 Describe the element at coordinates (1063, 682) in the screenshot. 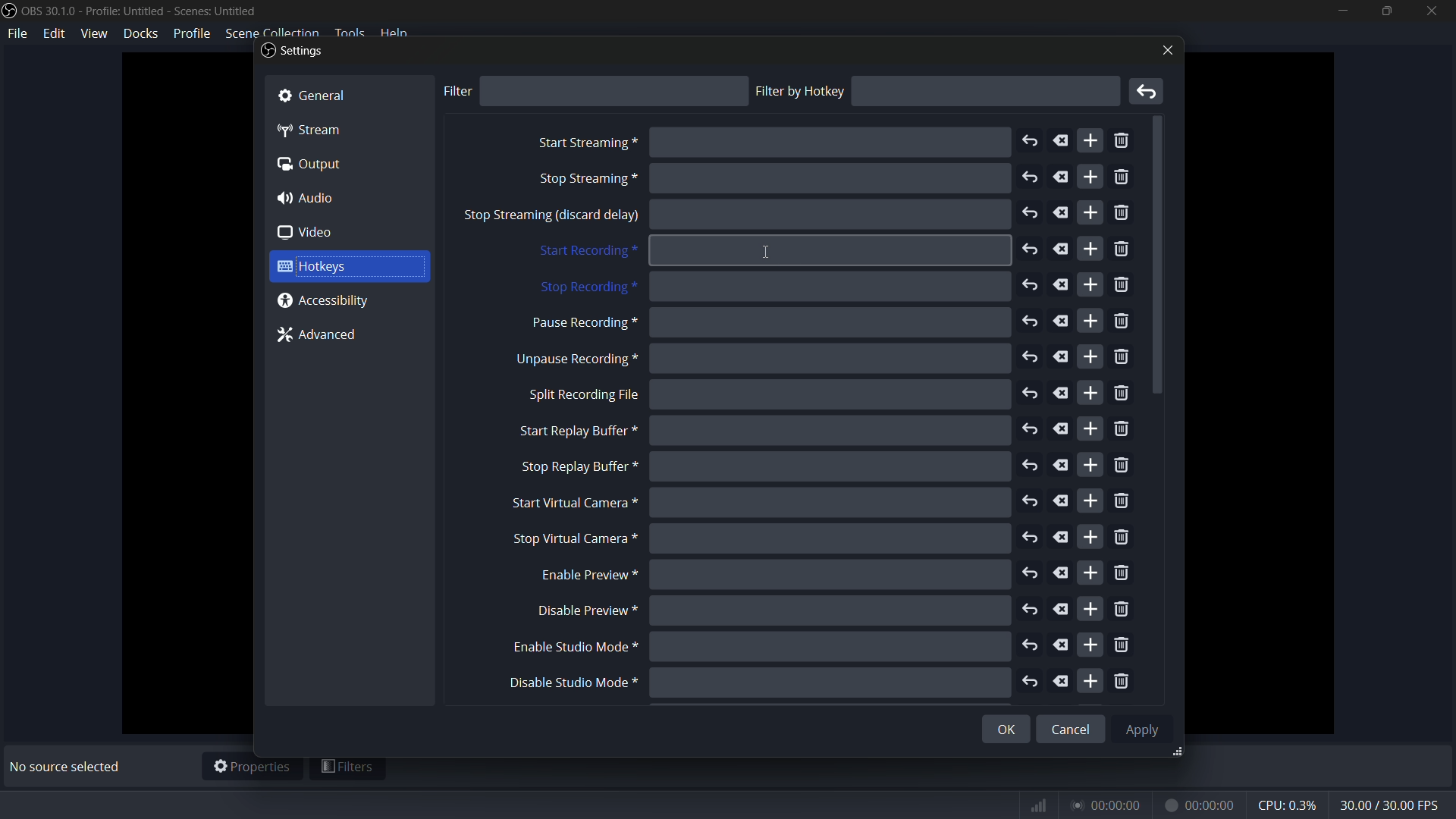

I see `delete` at that location.